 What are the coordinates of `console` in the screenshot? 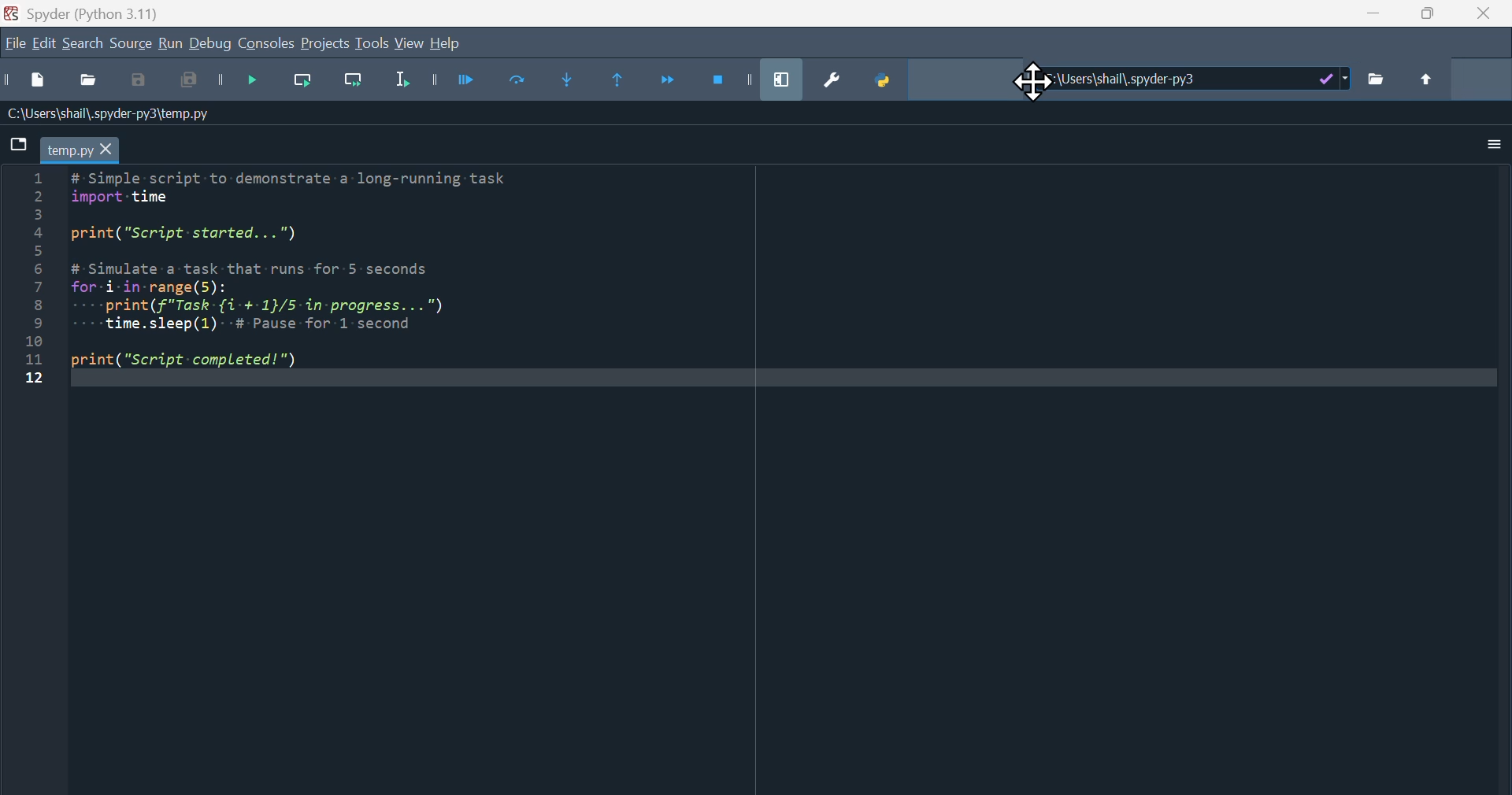 It's located at (268, 43).